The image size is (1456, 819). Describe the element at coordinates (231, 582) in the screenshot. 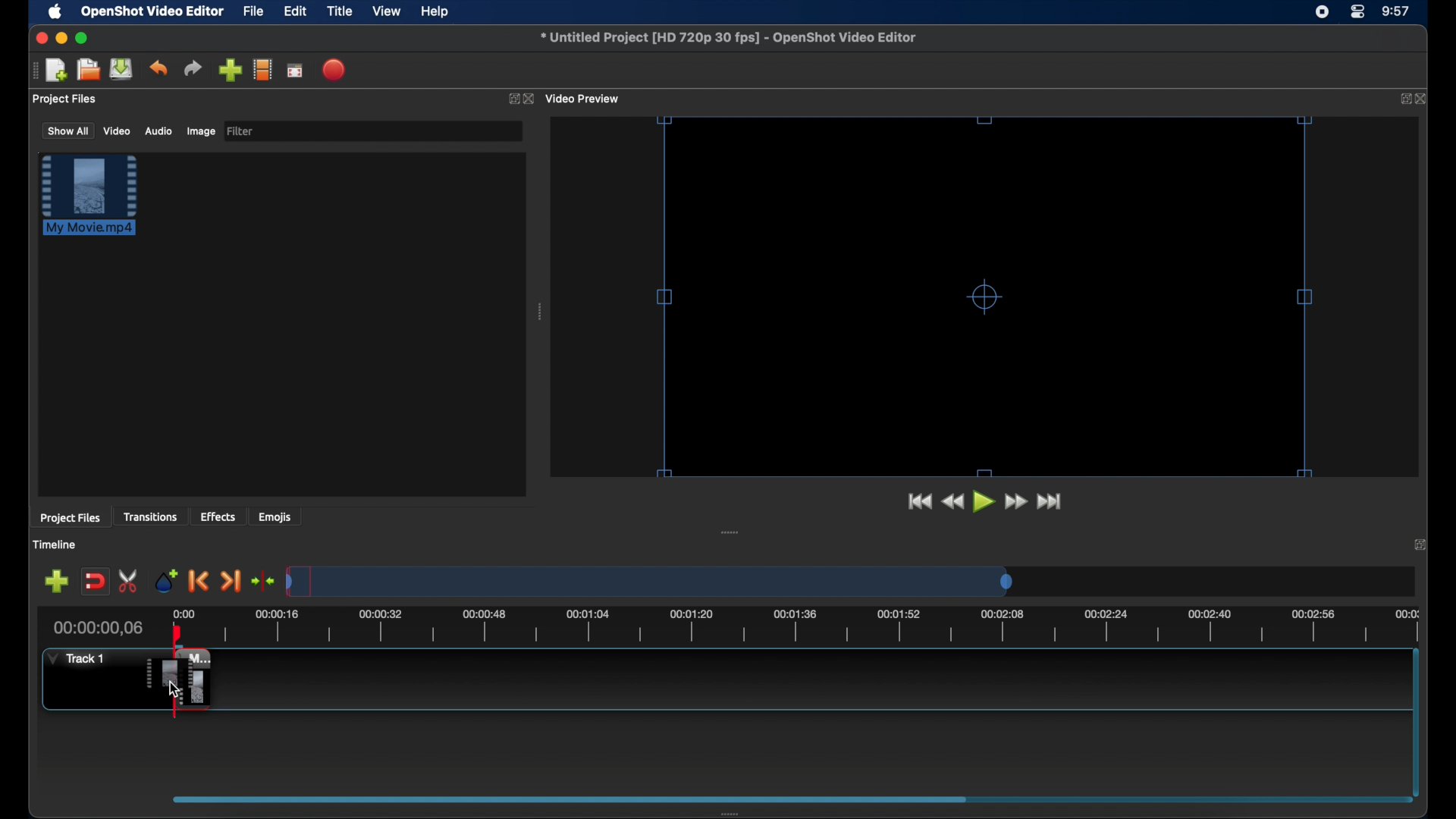

I see `next marker` at that location.